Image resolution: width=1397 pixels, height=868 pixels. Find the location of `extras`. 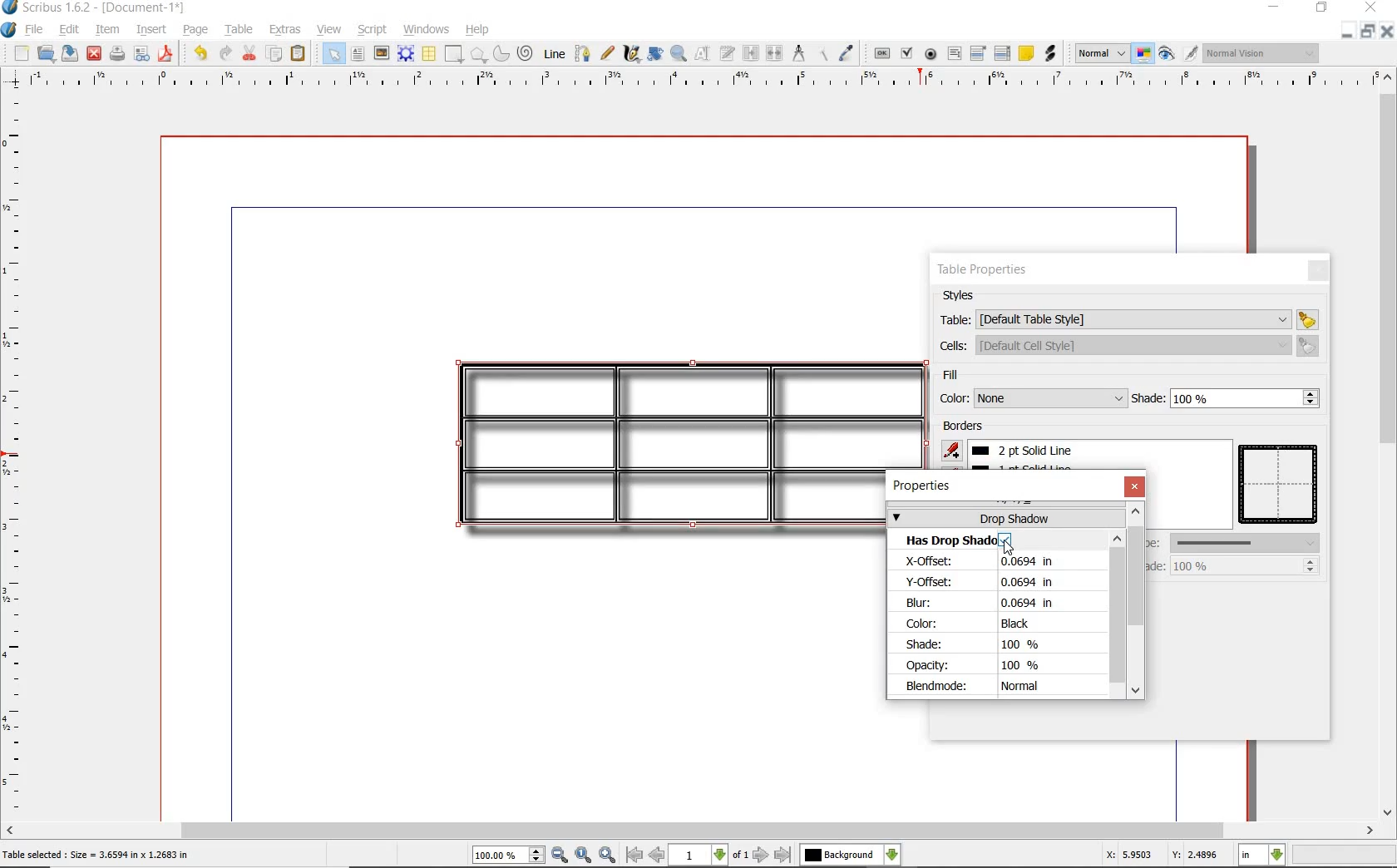

extras is located at coordinates (286, 31).